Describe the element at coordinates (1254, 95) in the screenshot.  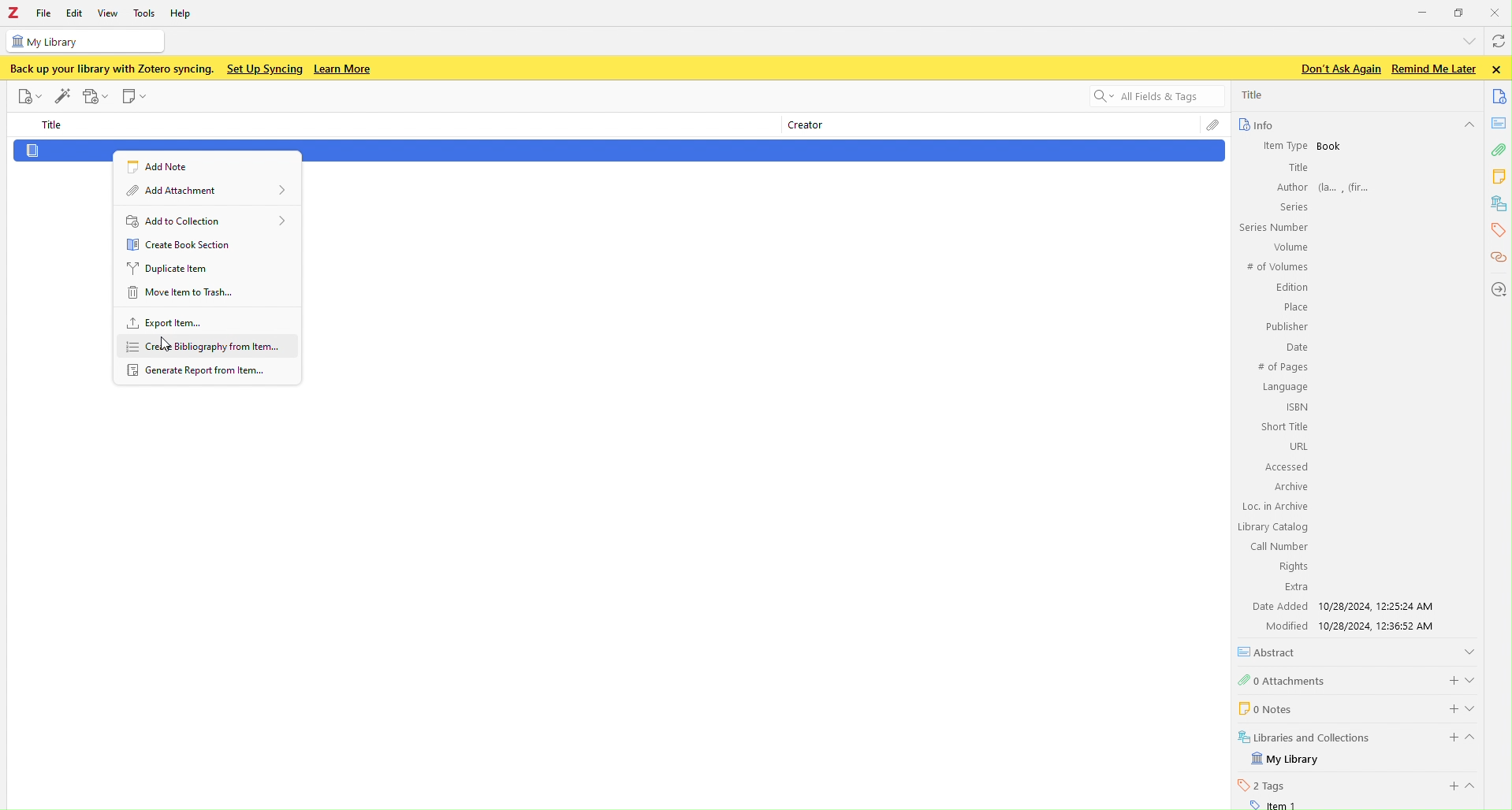
I see `Title` at that location.